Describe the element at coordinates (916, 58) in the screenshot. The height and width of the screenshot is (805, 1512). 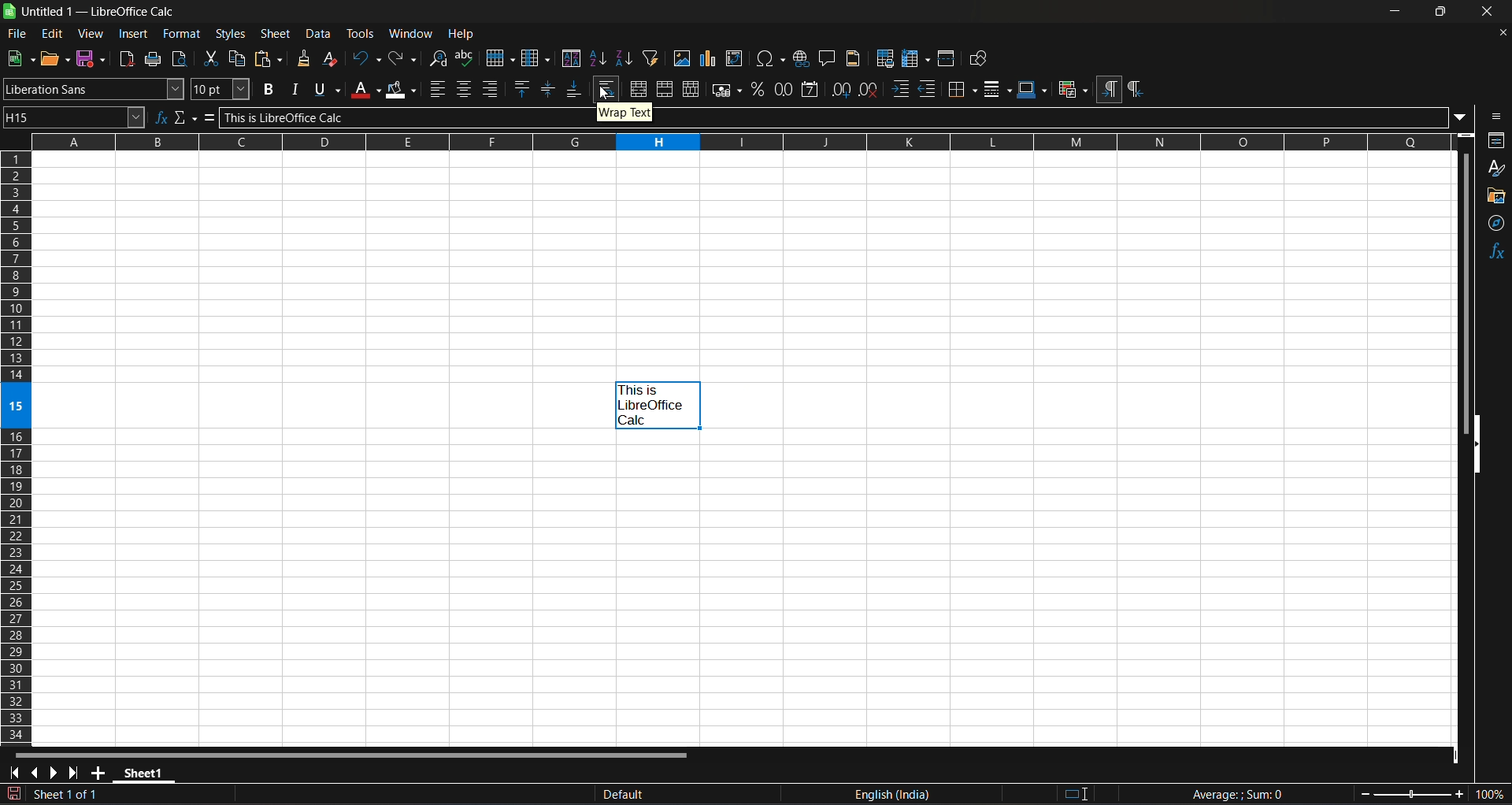
I see `freeze rows nd columns` at that location.